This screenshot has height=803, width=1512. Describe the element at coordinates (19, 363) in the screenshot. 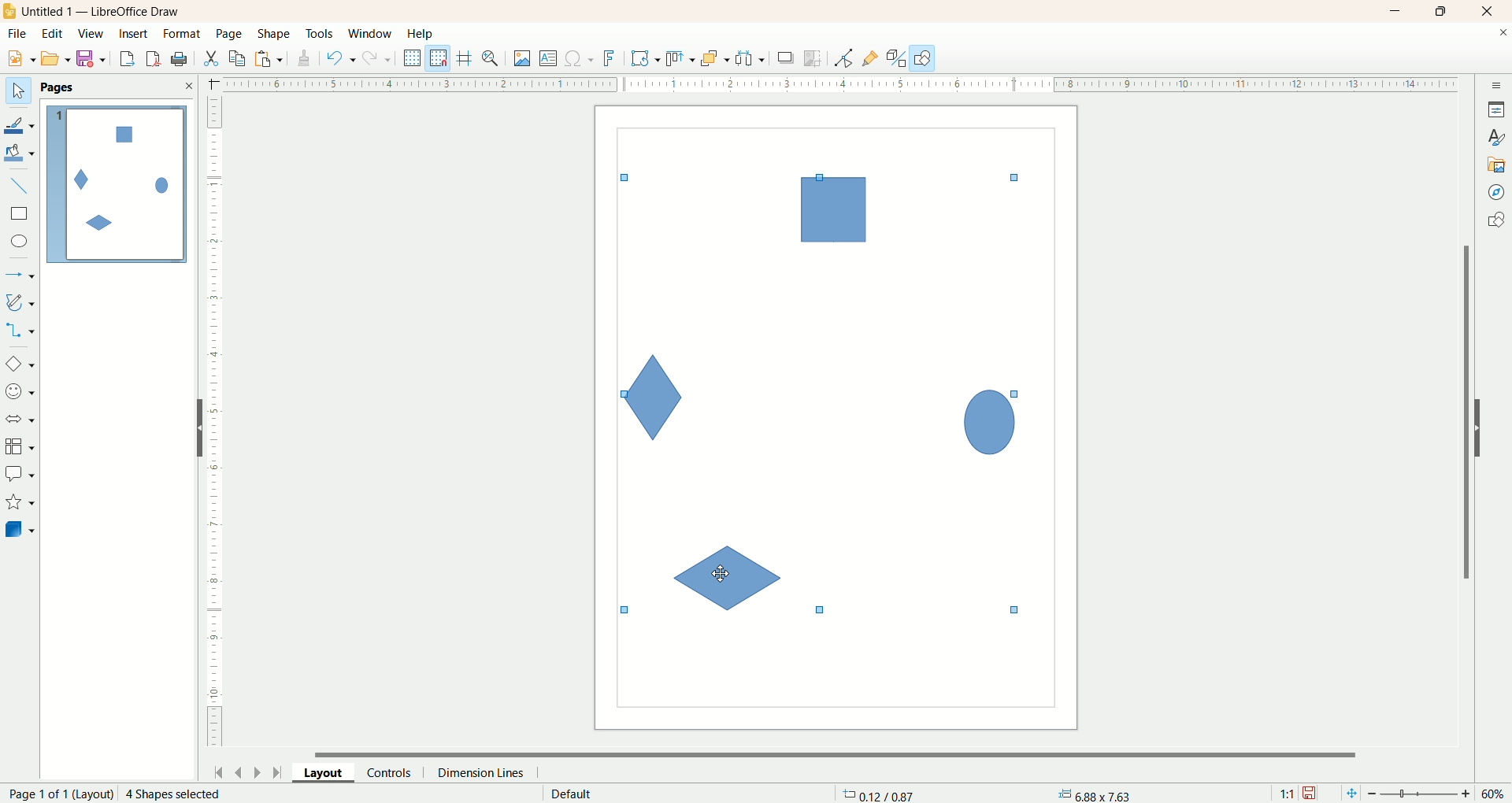

I see `basic shape` at that location.